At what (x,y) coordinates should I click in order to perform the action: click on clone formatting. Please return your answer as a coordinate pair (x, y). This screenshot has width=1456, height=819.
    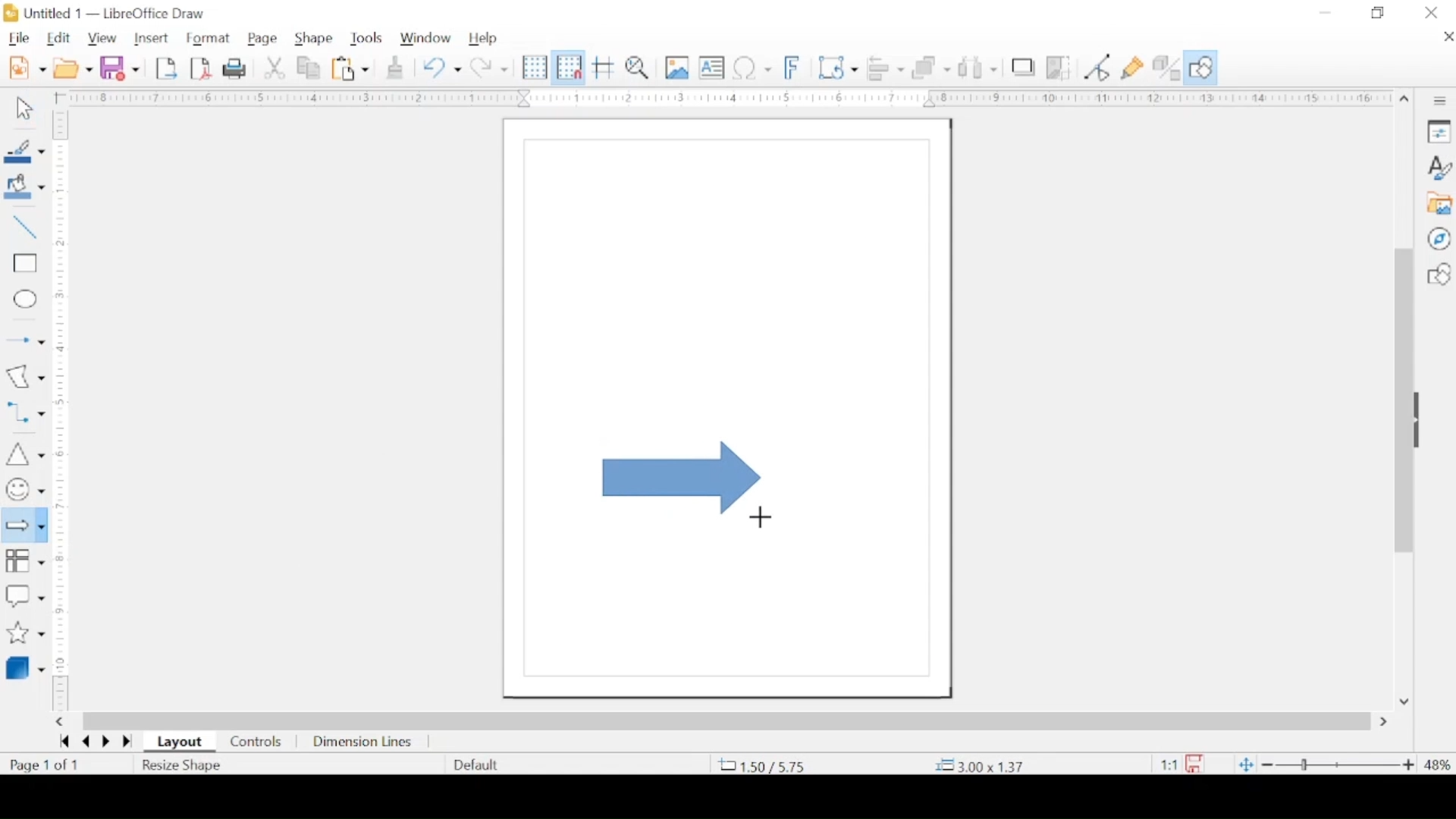
    Looking at the image, I should click on (395, 67).